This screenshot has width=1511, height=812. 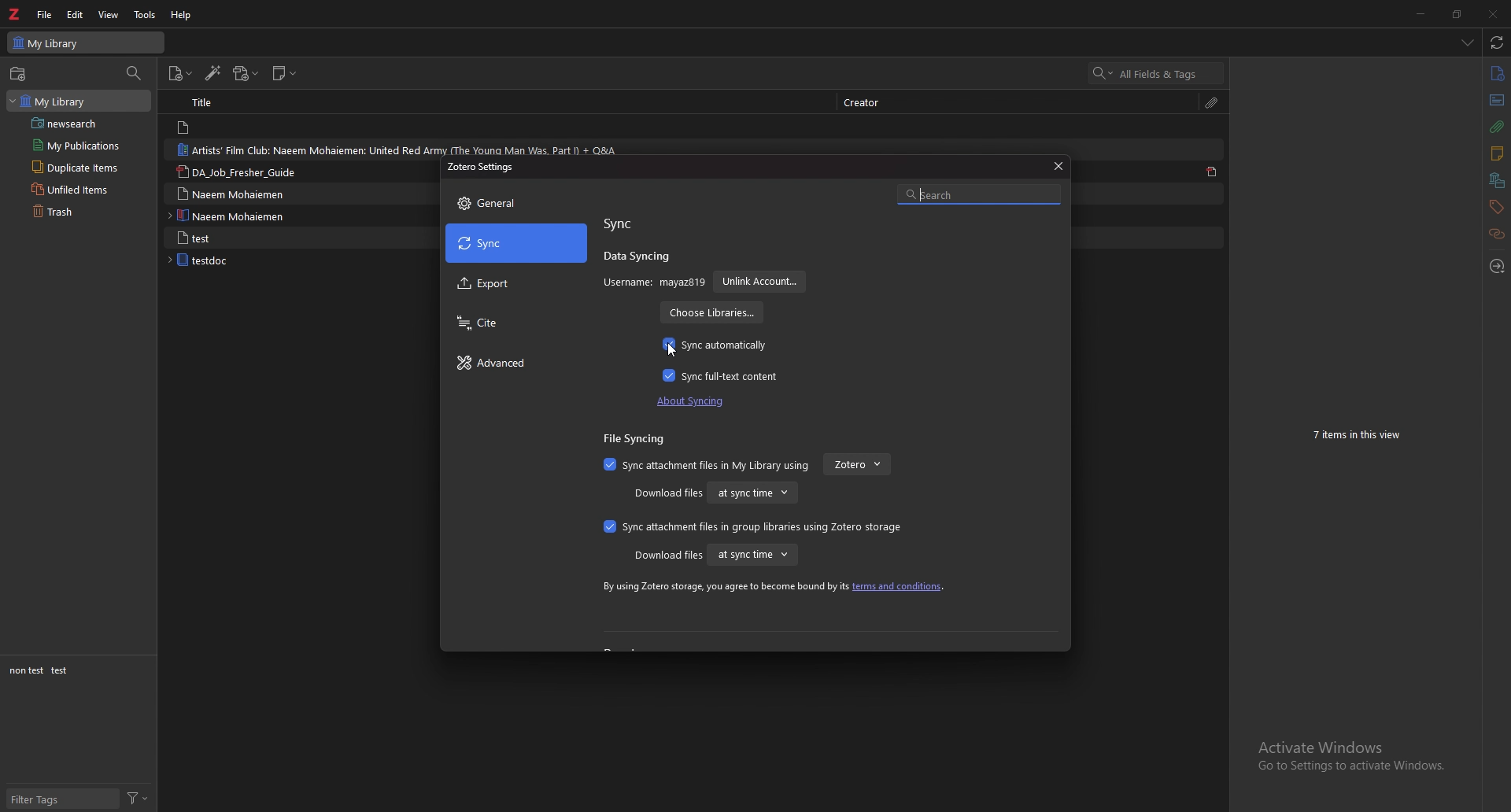 I want to click on zotero, so click(x=857, y=464).